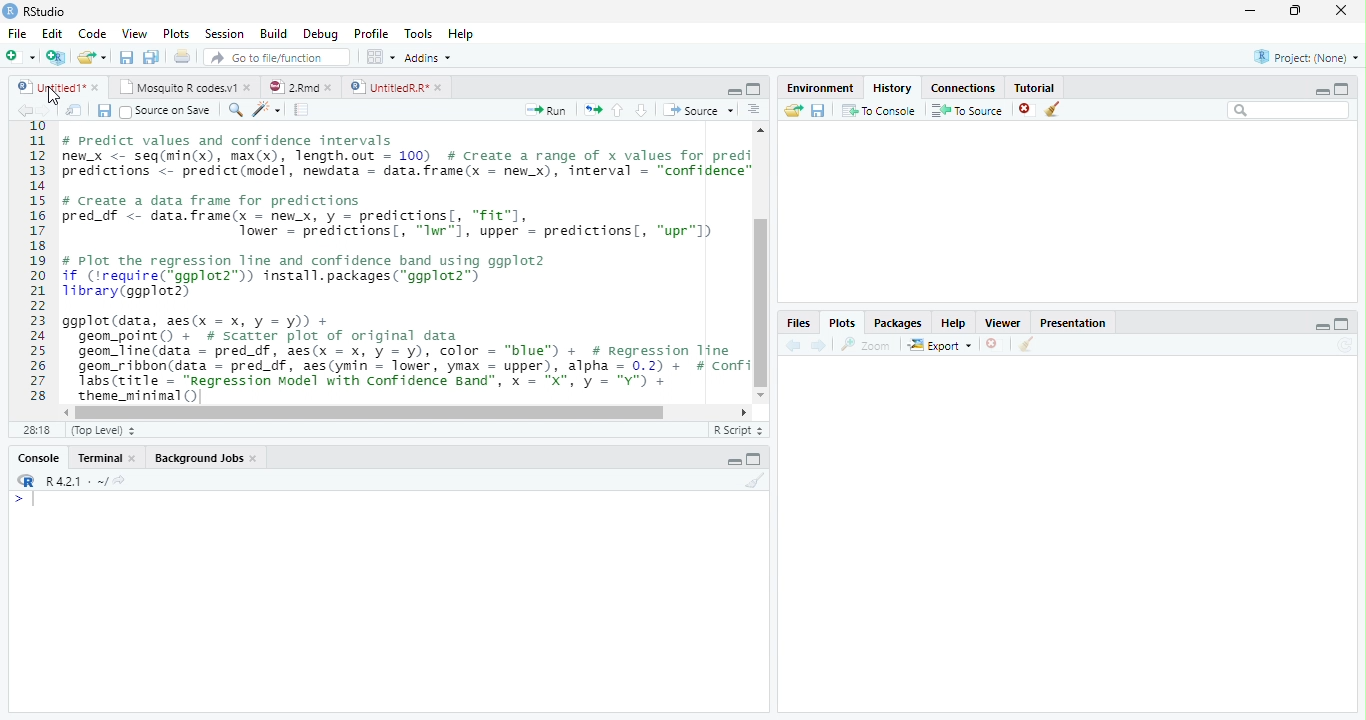 This screenshot has width=1366, height=720. I want to click on Open an existing file, so click(95, 59).